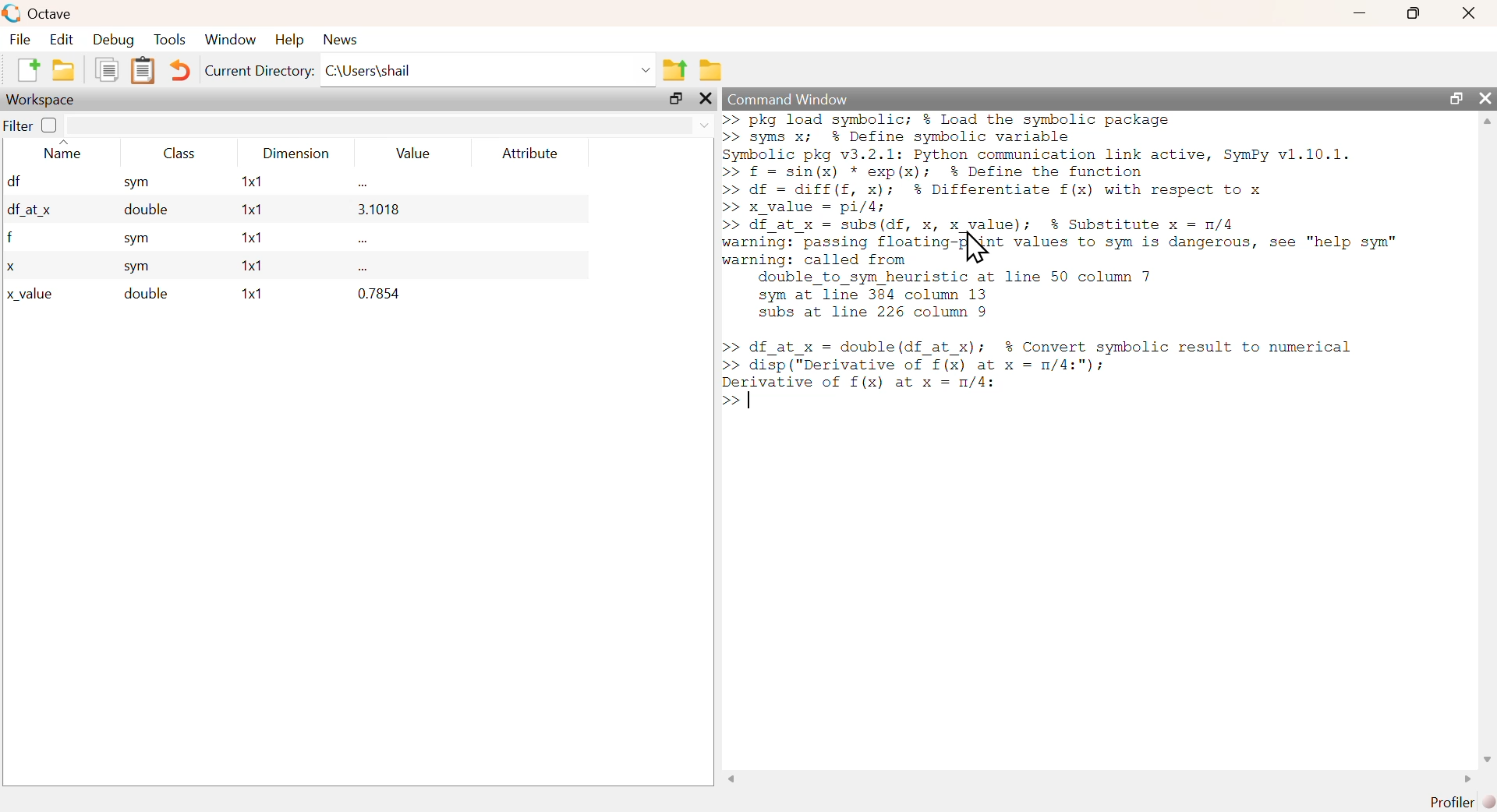  Describe the element at coordinates (1455, 97) in the screenshot. I see `maximize` at that location.